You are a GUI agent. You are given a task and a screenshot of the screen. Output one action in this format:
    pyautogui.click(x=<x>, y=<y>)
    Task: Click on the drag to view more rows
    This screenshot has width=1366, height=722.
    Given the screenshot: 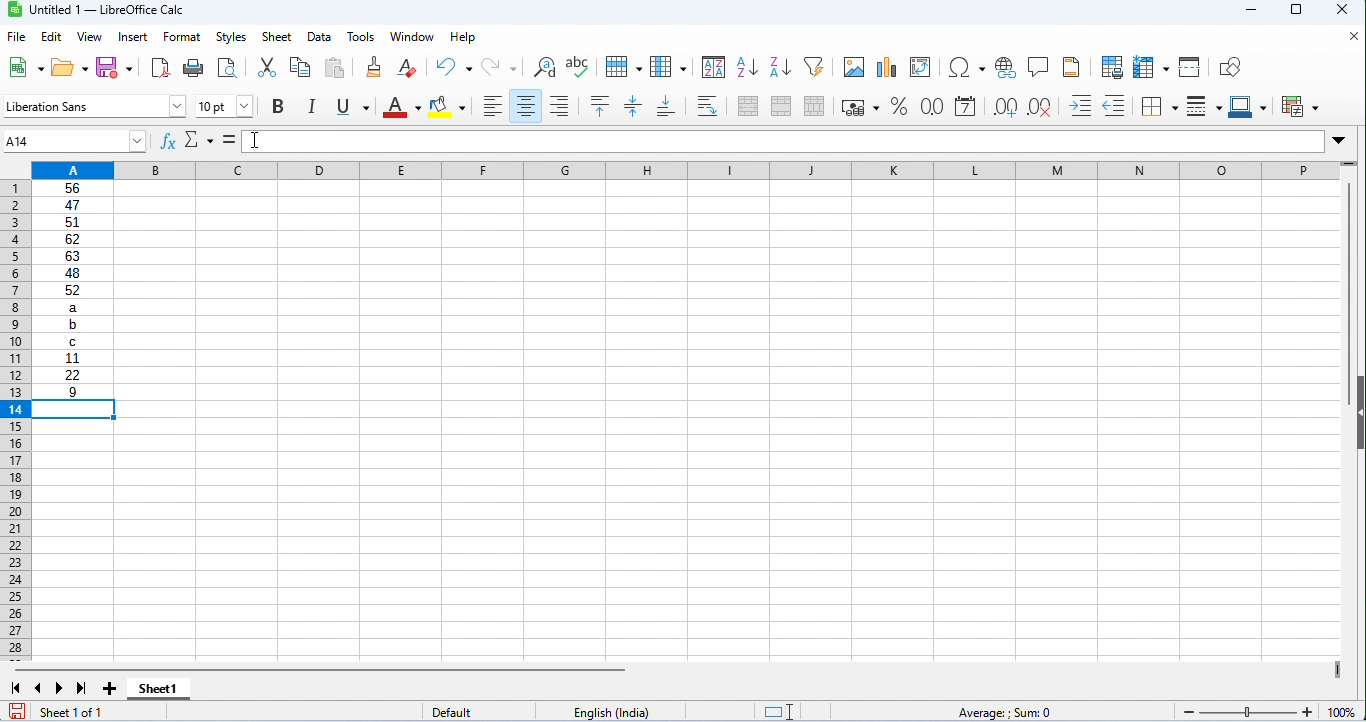 What is the action you would take?
    pyautogui.click(x=1348, y=163)
    